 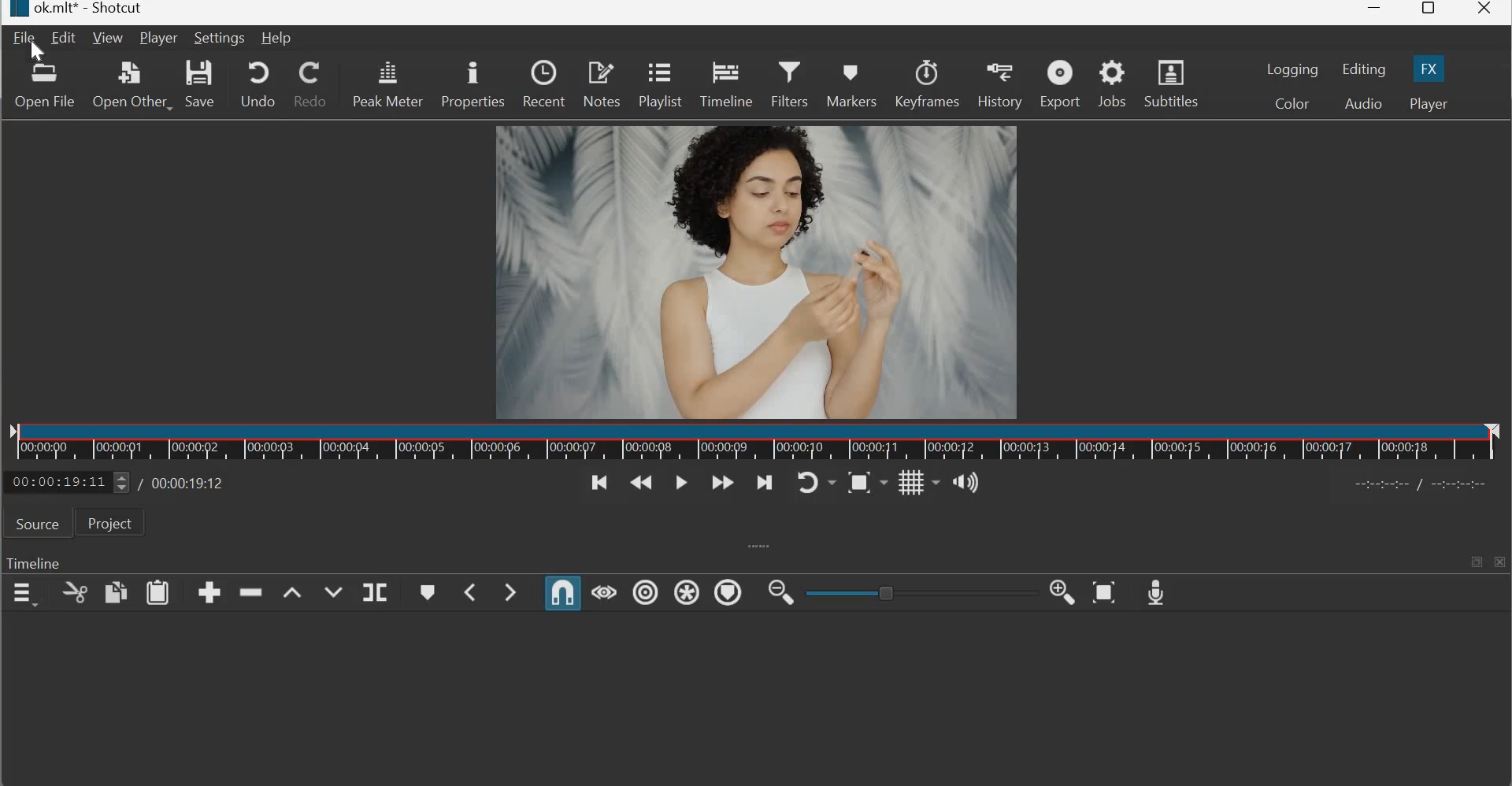 I want to click on Undo, so click(x=256, y=83).